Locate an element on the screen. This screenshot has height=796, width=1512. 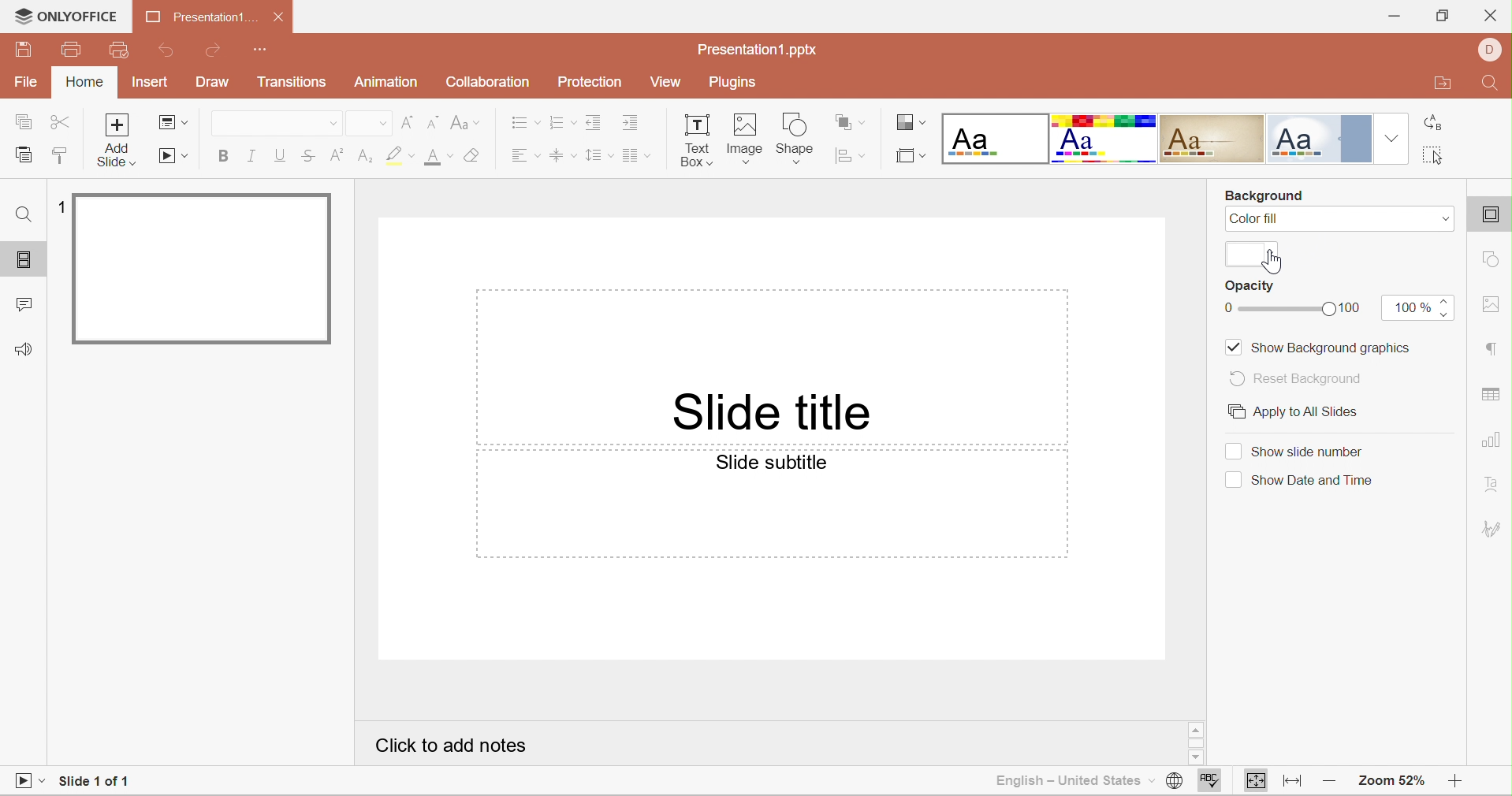
Vertical Align is located at coordinates (564, 158).